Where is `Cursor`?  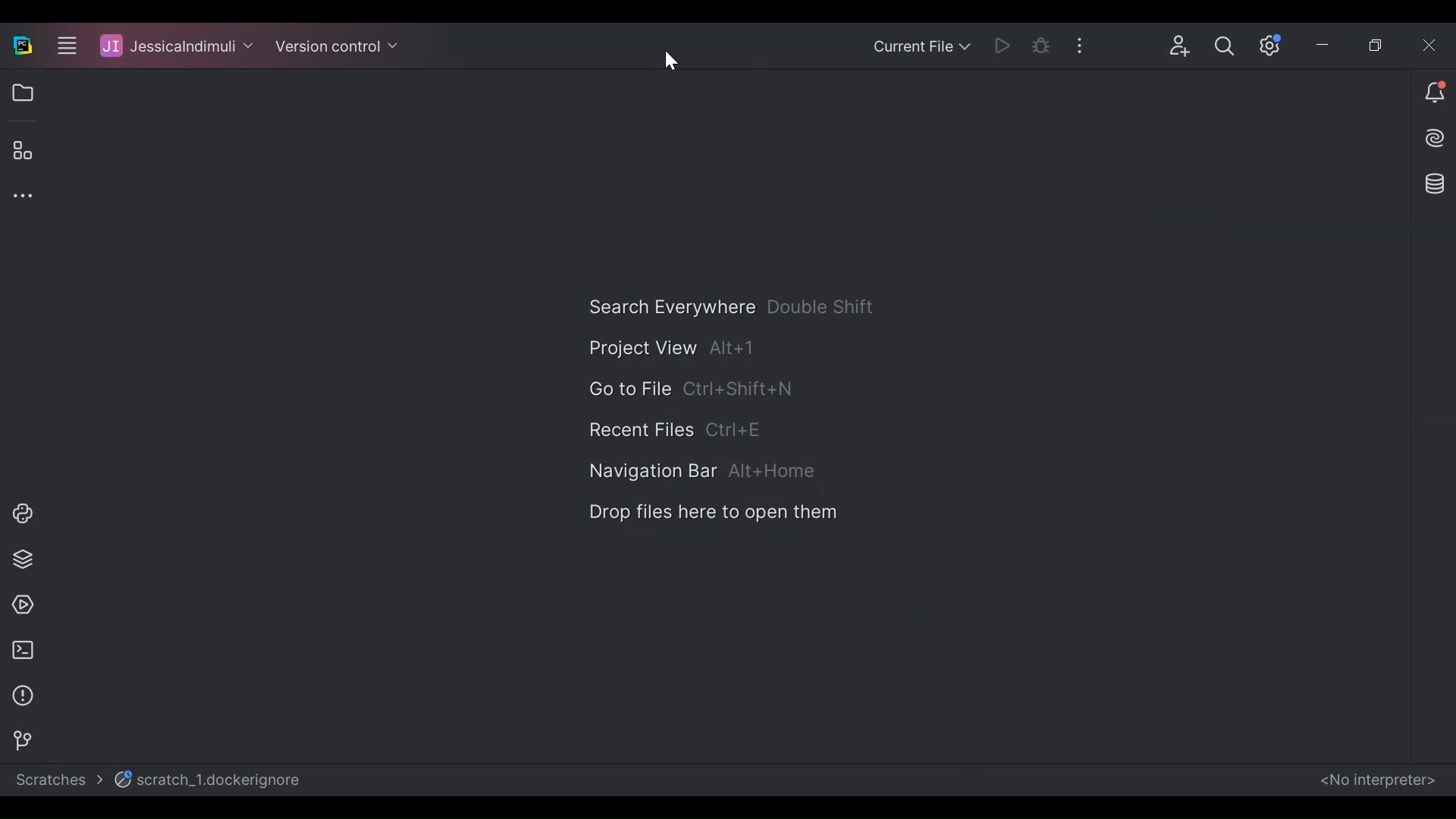 Cursor is located at coordinates (673, 63).